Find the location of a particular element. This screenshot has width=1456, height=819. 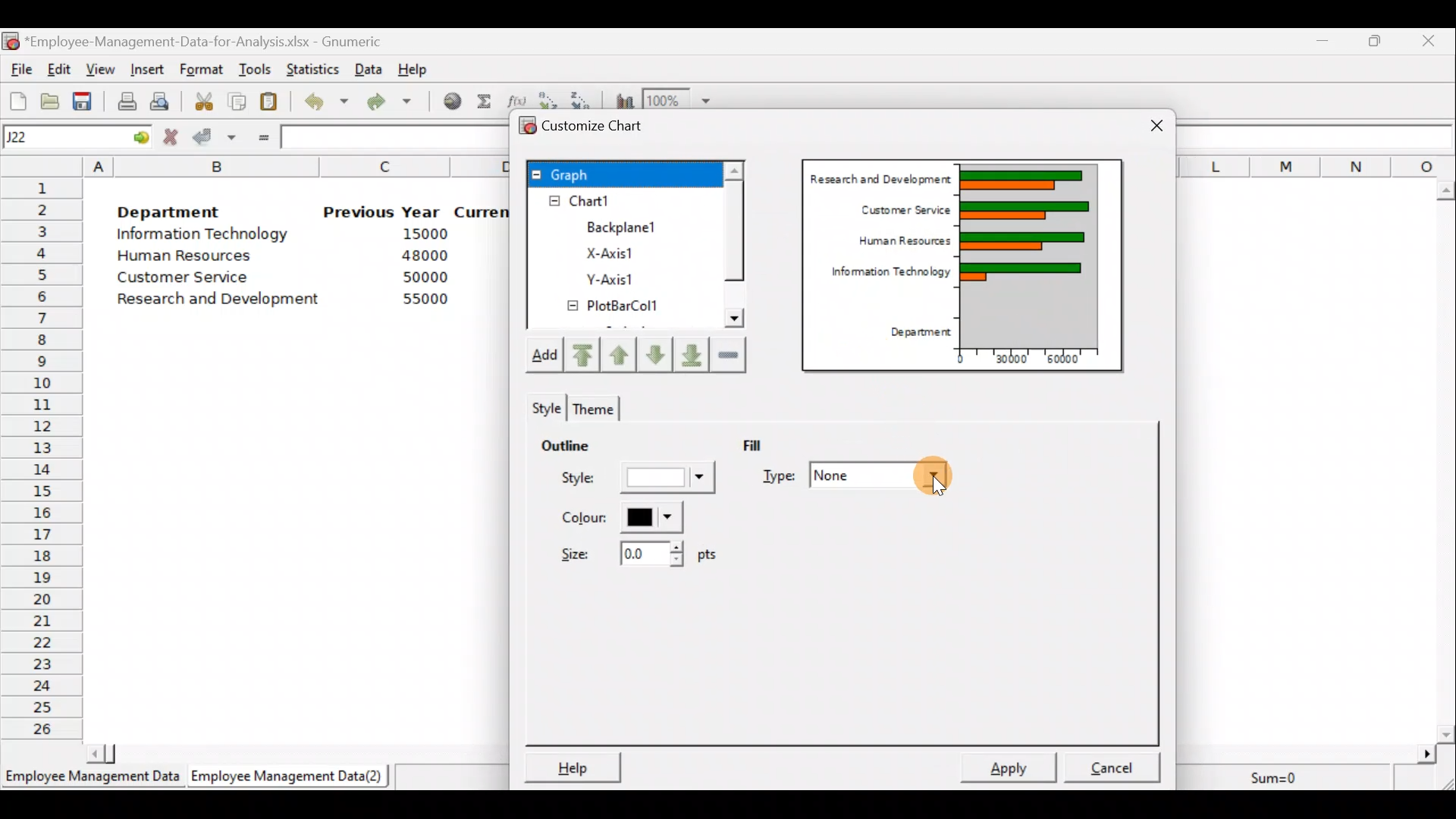

Tools is located at coordinates (255, 67).